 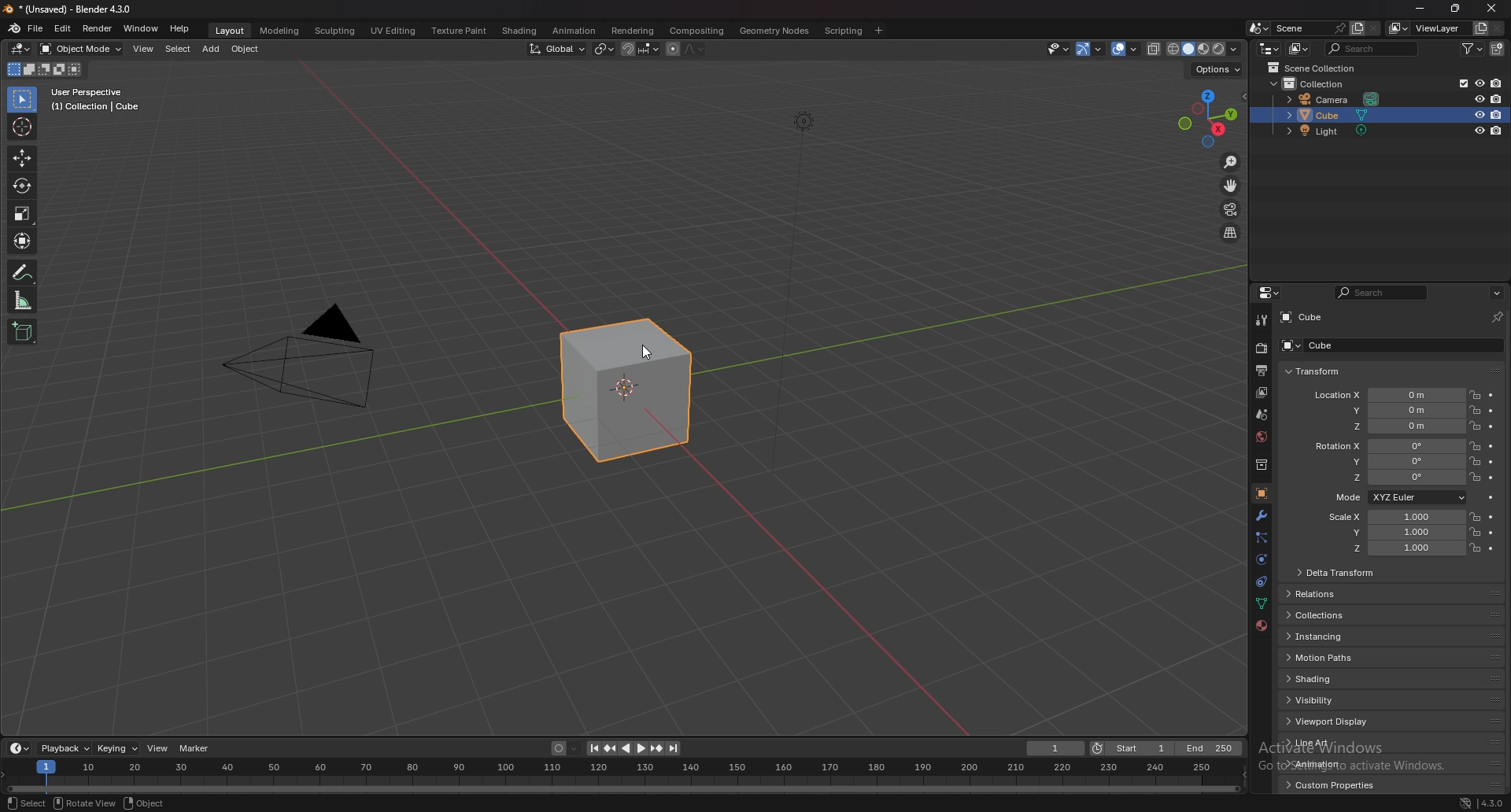 I want to click on tool, so click(x=1261, y=319).